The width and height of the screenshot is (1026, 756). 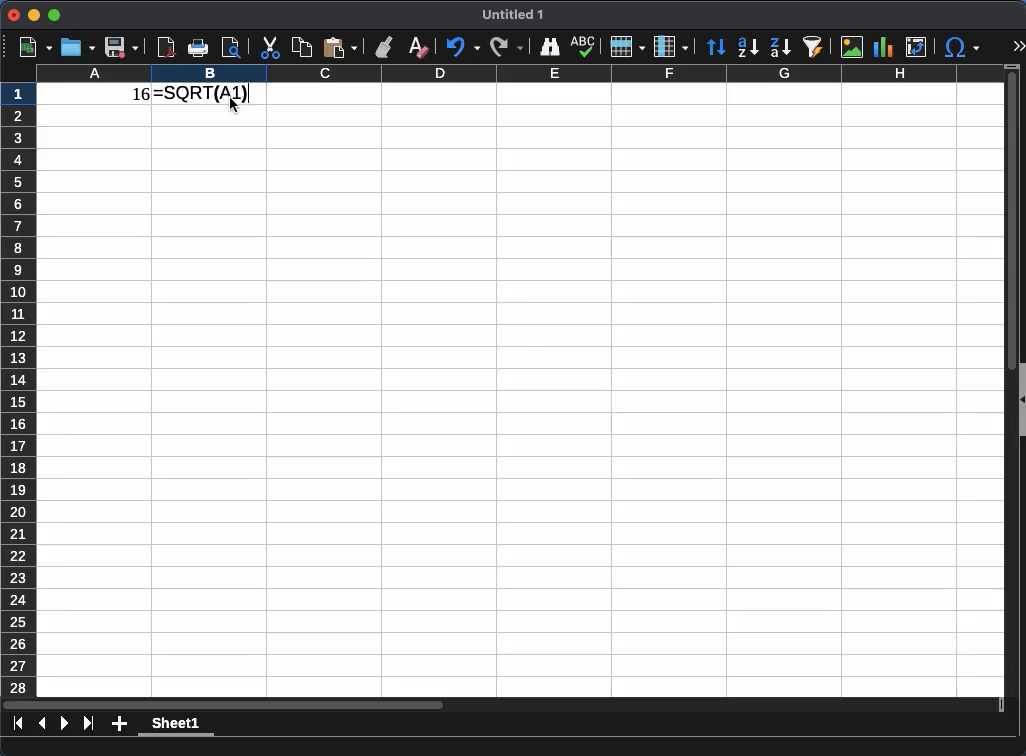 What do you see at coordinates (119, 725) in the screenshot?
I see `add sheet` at bounding box center [119, 725].